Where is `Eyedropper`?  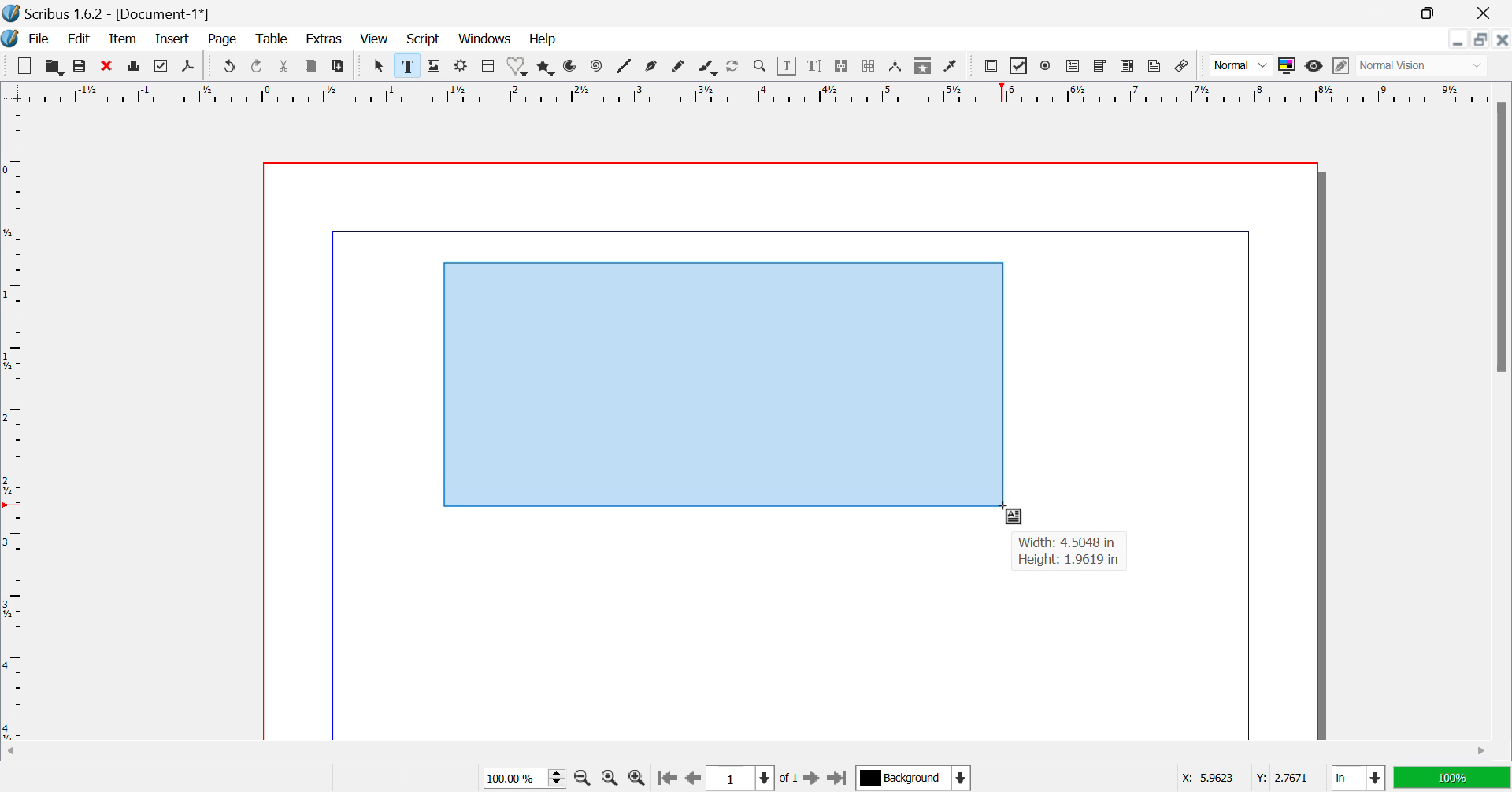
Eyedropper is located at coordinates (953, 65).